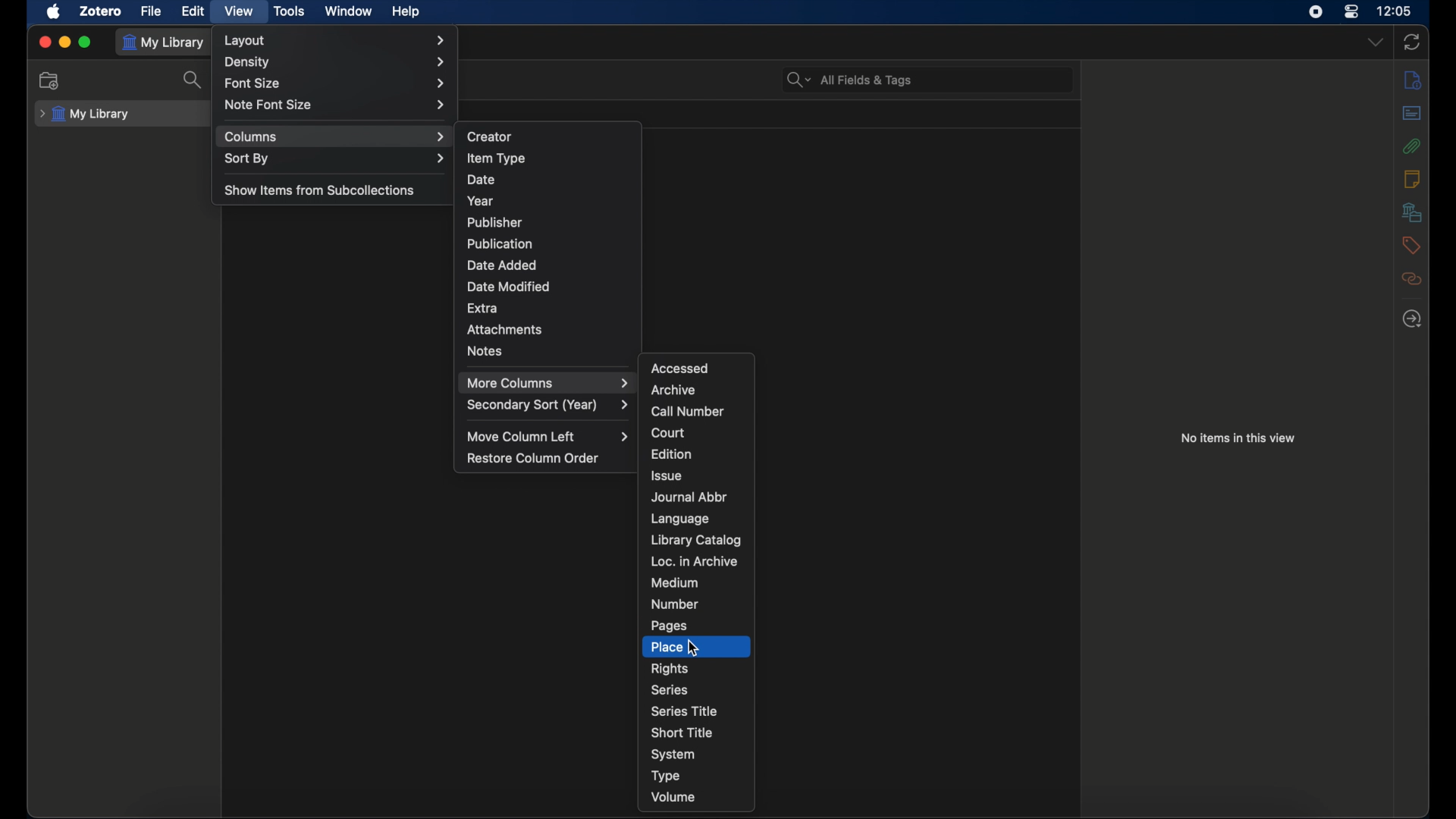 The image size is (1456, 819). Describe the element at coordinates (195, 12) in the screenshot. I see `edit` at that location.